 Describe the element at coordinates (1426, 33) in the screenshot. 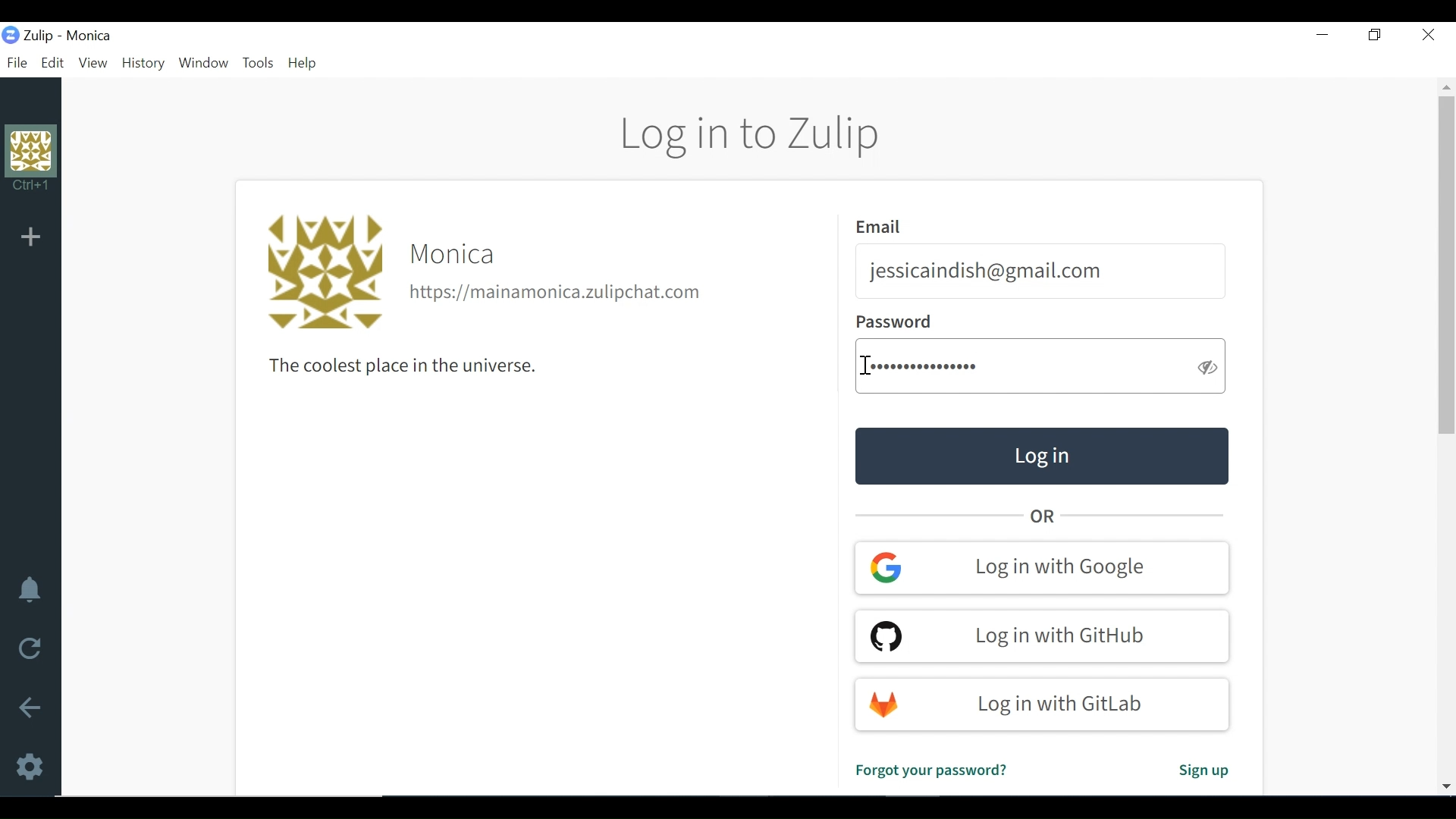

I see `Close` at that location.